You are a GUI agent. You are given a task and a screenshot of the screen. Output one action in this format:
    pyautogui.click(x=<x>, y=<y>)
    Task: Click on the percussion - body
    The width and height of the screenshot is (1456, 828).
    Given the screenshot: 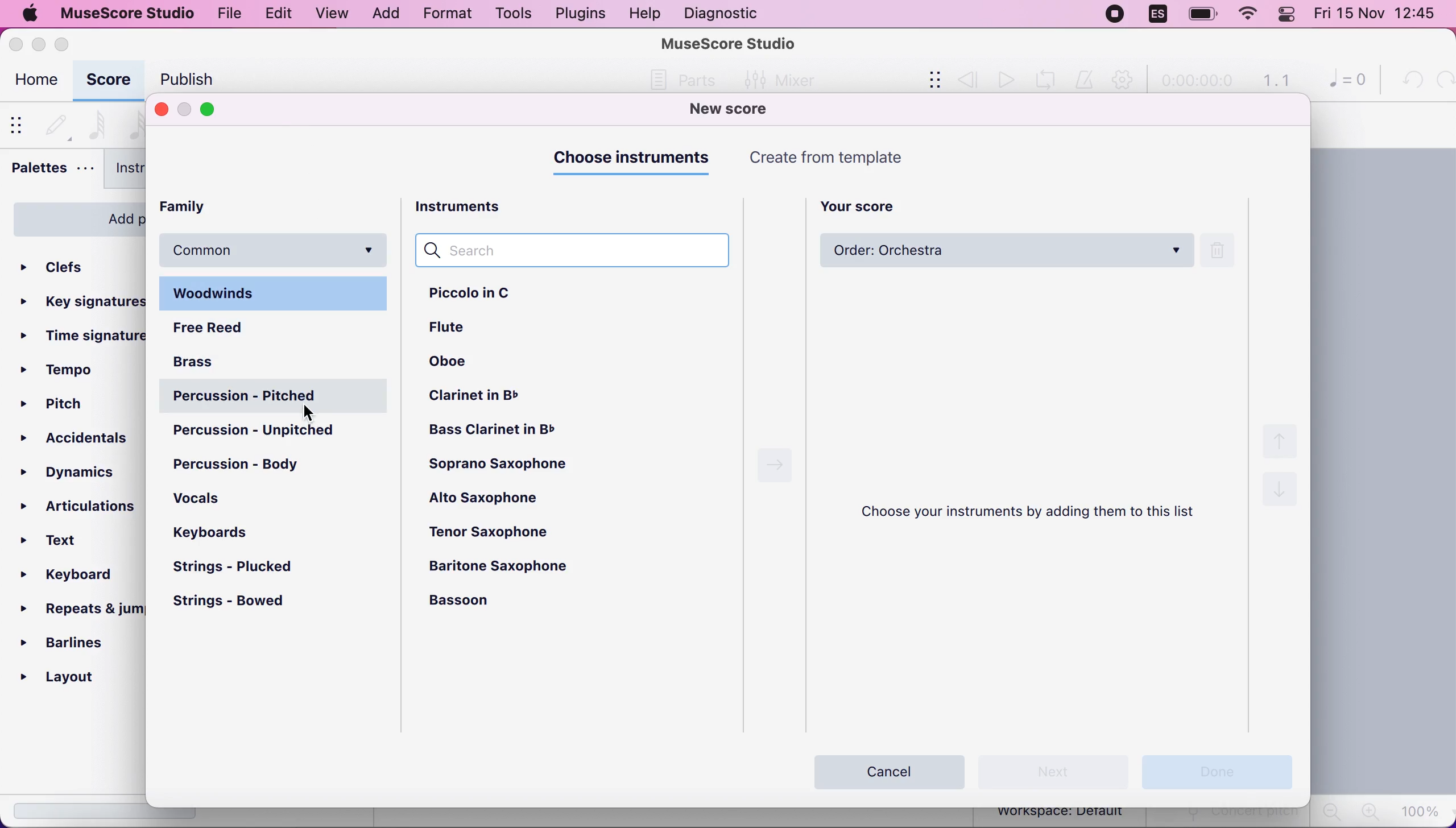 What is the action you would take?
    pyautogui.click(x=247, y=463)
    